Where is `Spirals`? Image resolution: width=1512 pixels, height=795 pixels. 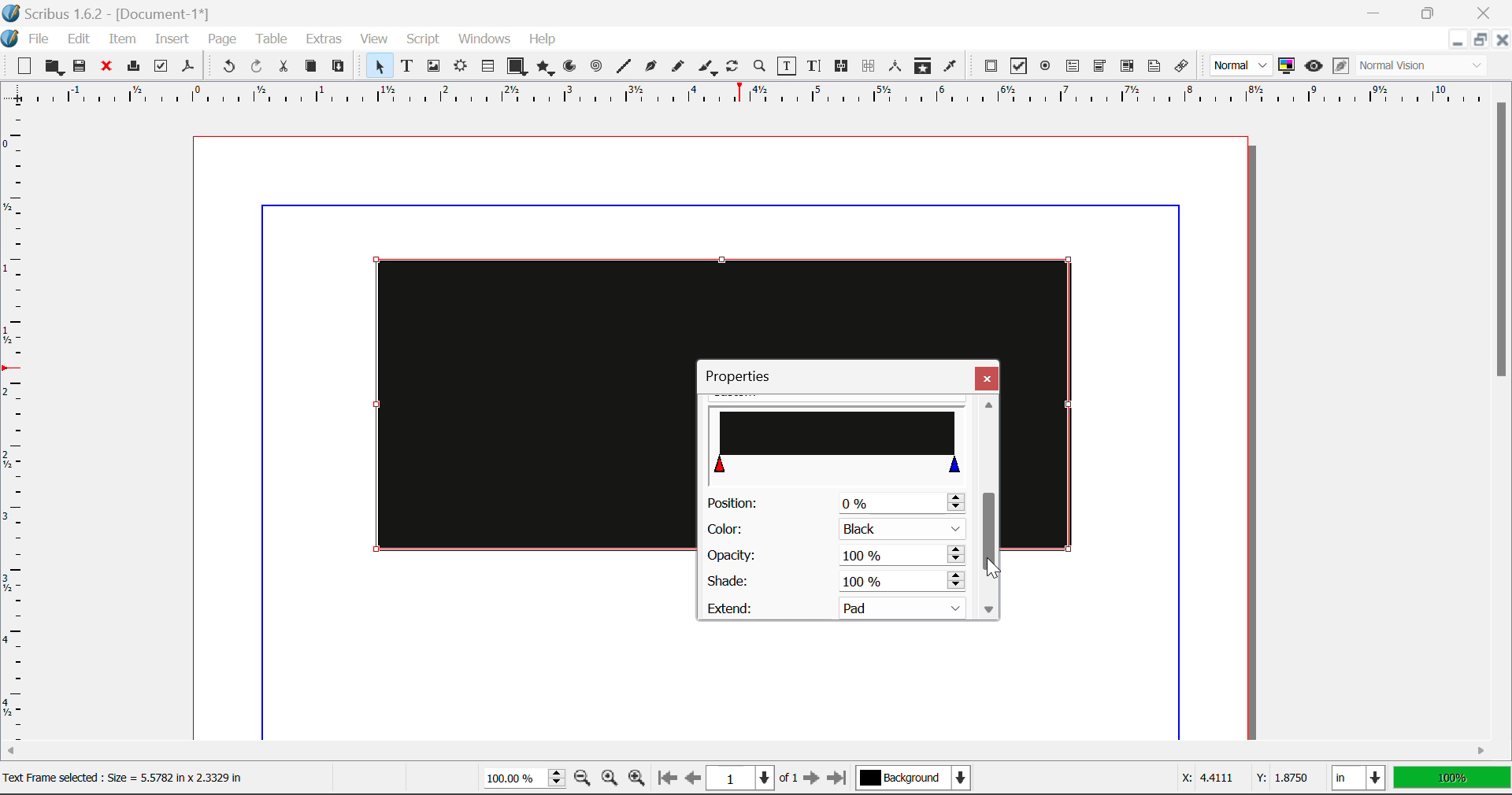 Spirals is located at coordinates (595, 68).